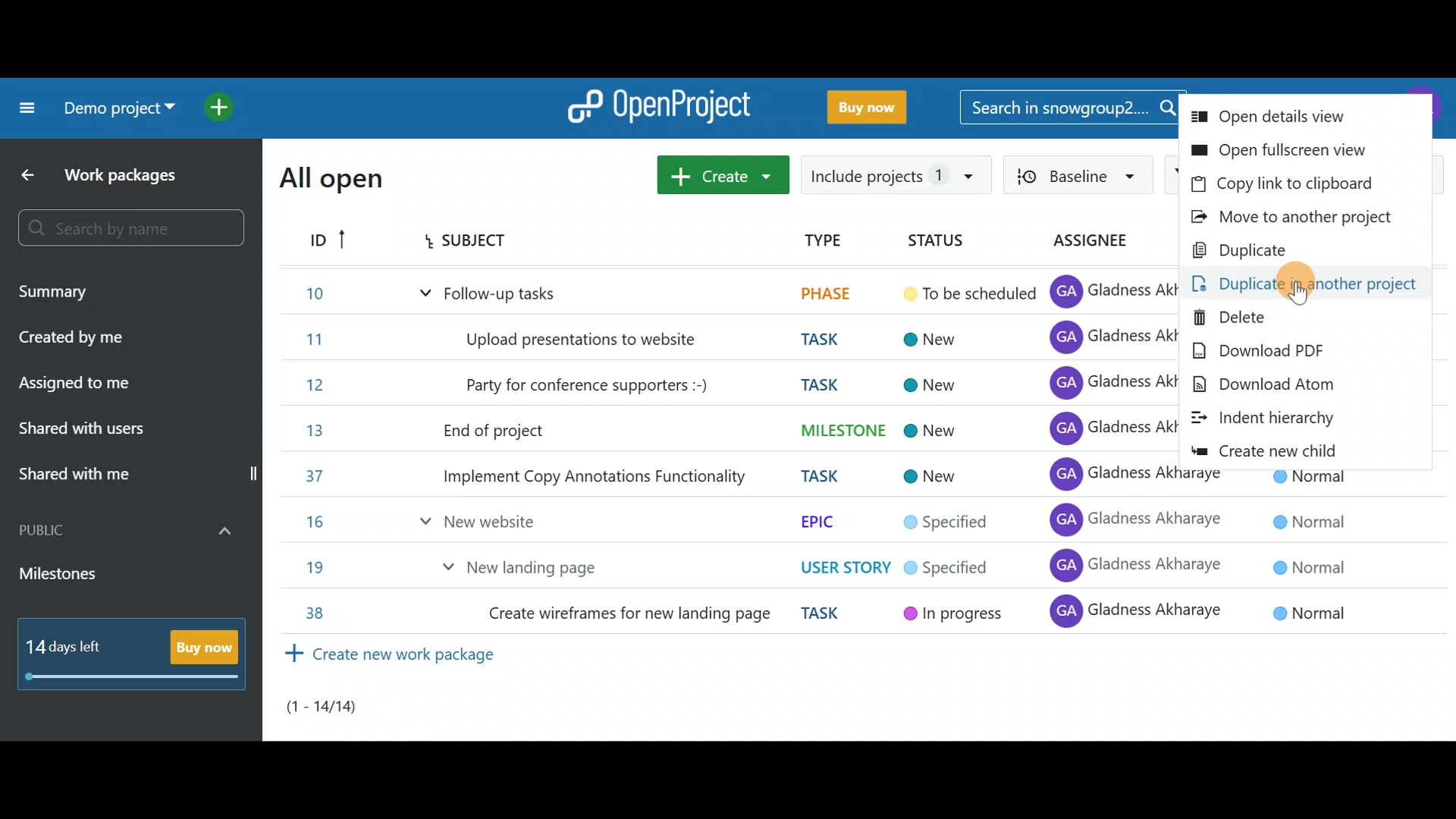  What do you see at coordinates (813, 384) in the screenshot?
I see `TASK` at bounding box center [813, 384].